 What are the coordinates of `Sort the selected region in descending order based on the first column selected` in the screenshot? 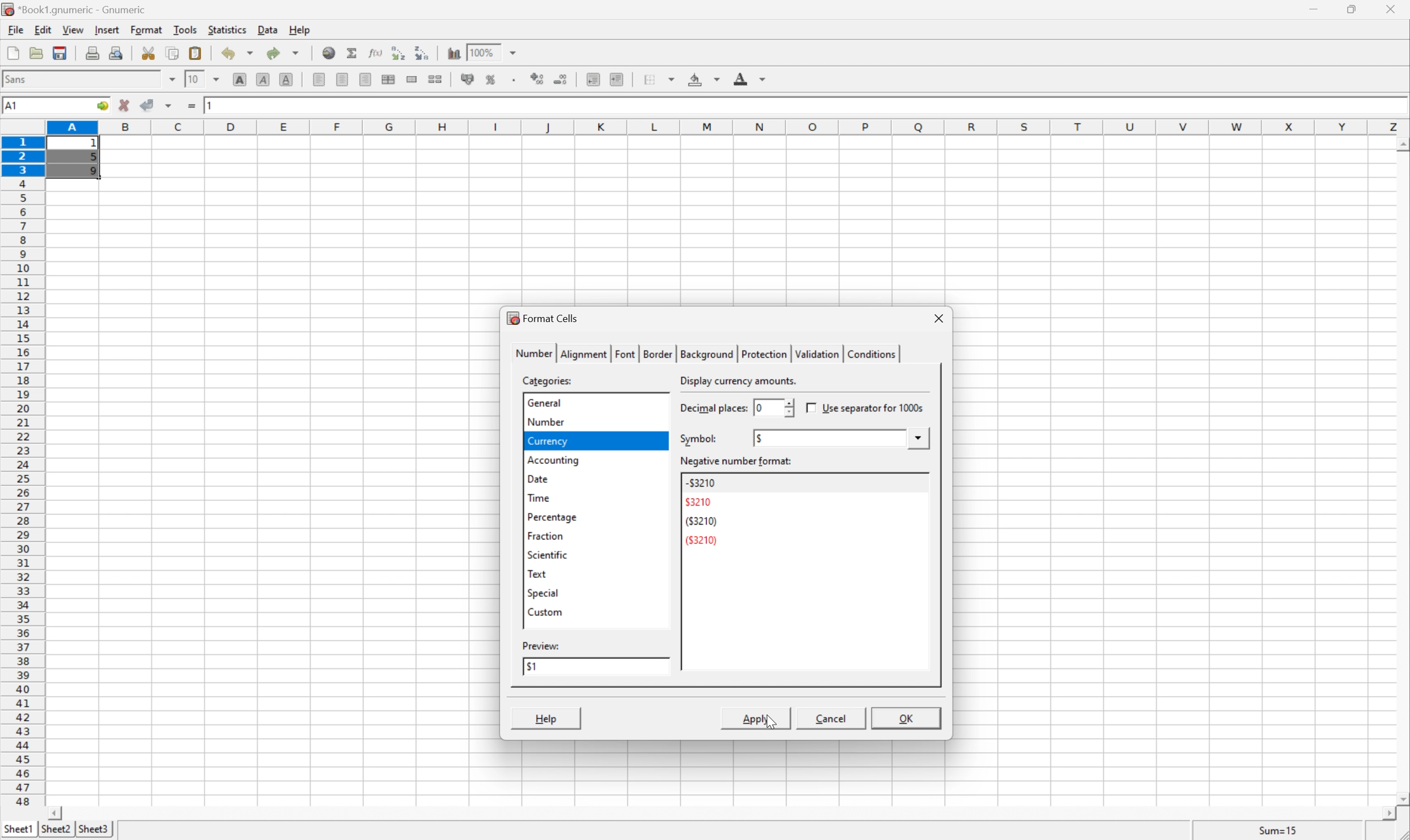 It's located at (422, 52).